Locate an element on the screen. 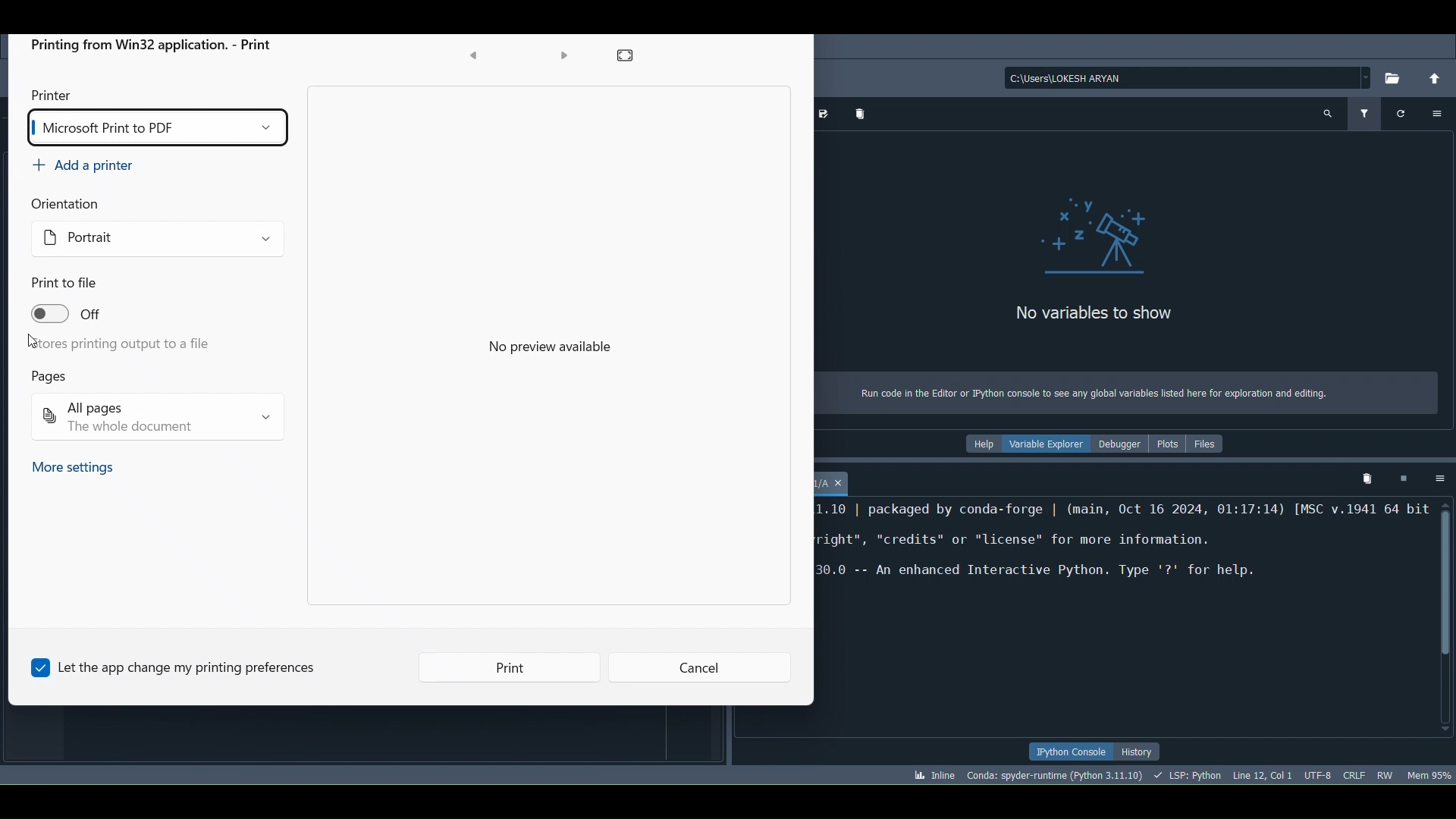 The image size is (1456, 819). Competitions, linting, code folding and symbols status is located at coordinates (1191, 777).